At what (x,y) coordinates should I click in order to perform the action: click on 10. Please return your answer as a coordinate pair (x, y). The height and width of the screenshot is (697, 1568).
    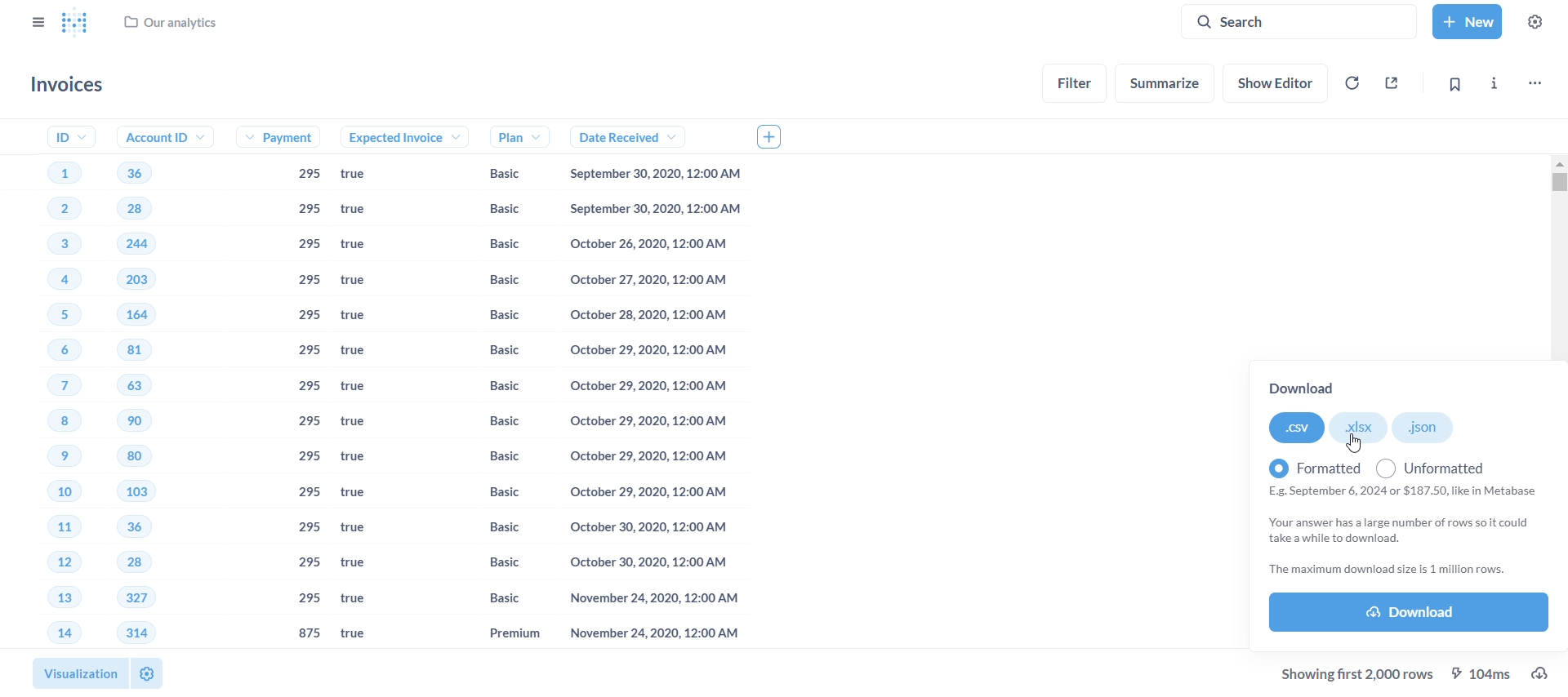
    Looking at the image, I should click on (50, 495).